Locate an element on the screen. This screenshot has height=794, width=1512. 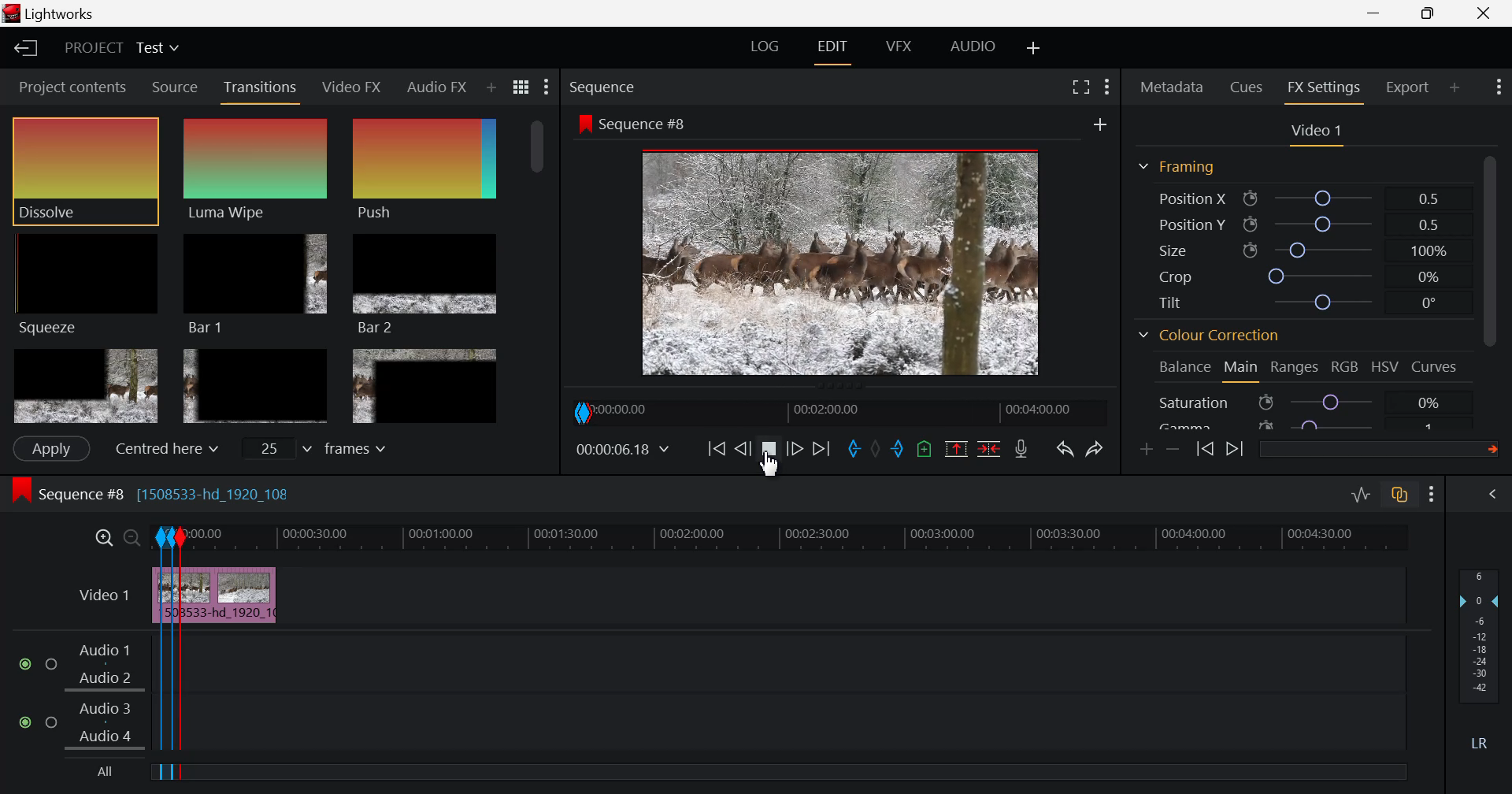
Export is located at coordinates (1409, 87).